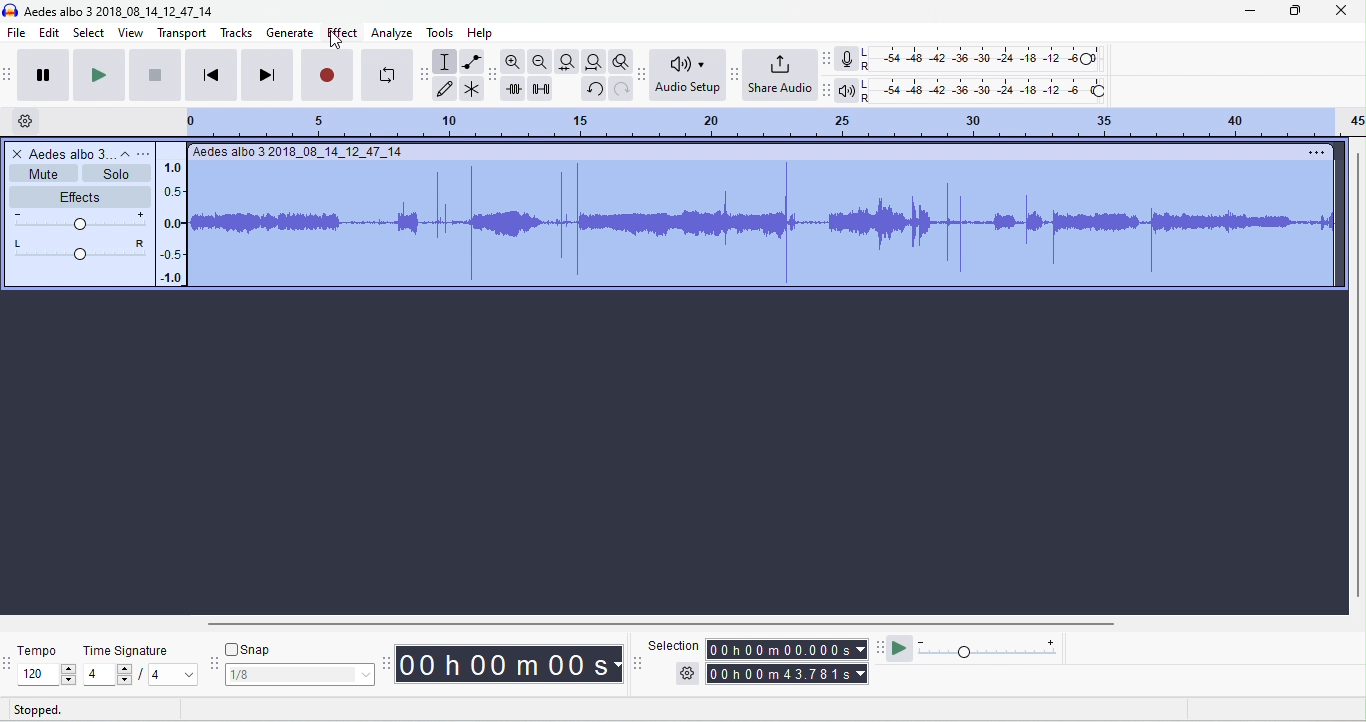 The image size is (1366, 722). Describe the element at coordinates (441, 33) in the screenshot. I see `tools` at that location.